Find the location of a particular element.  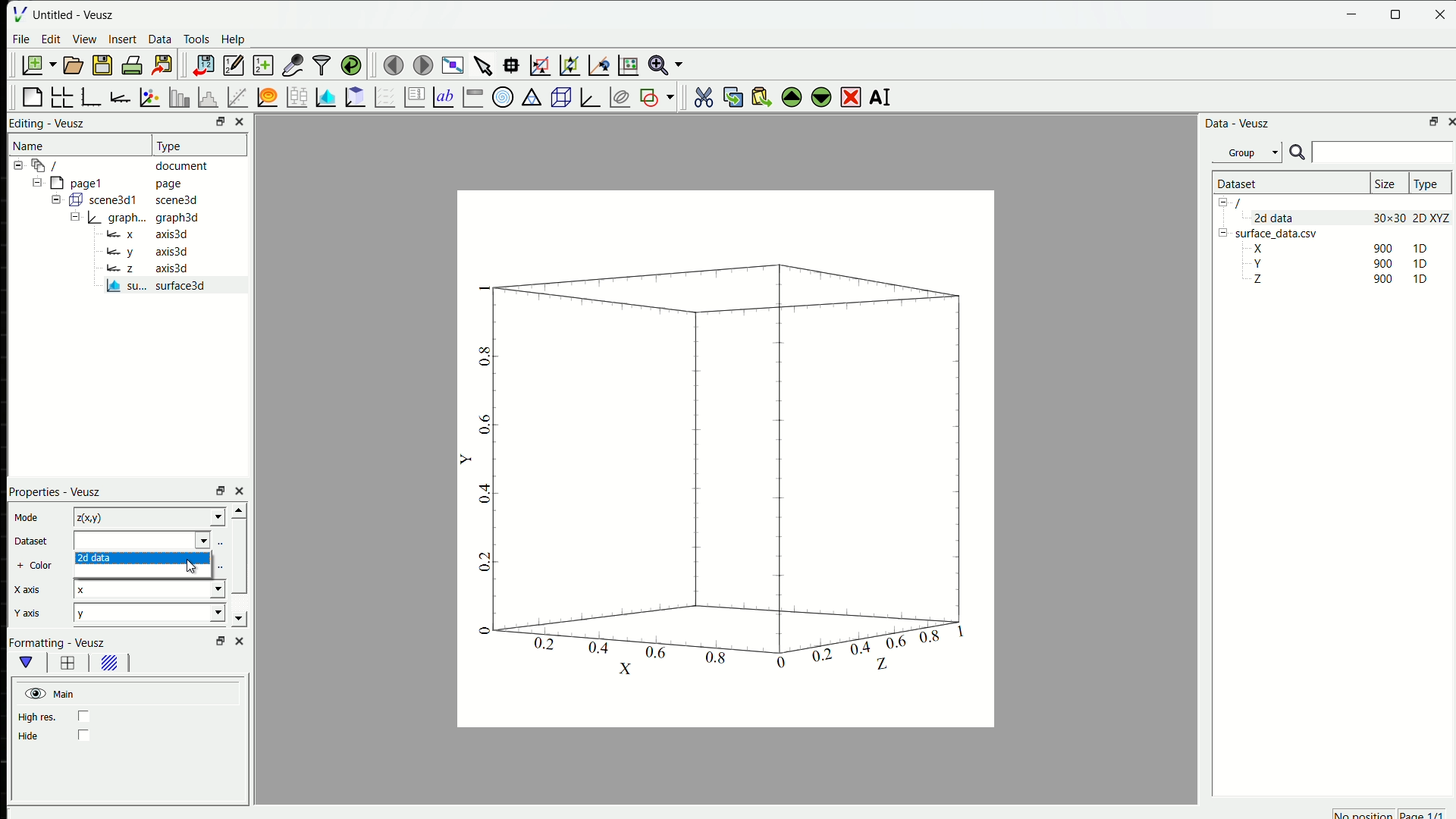

axis3d is located at coordinates (171, 268).